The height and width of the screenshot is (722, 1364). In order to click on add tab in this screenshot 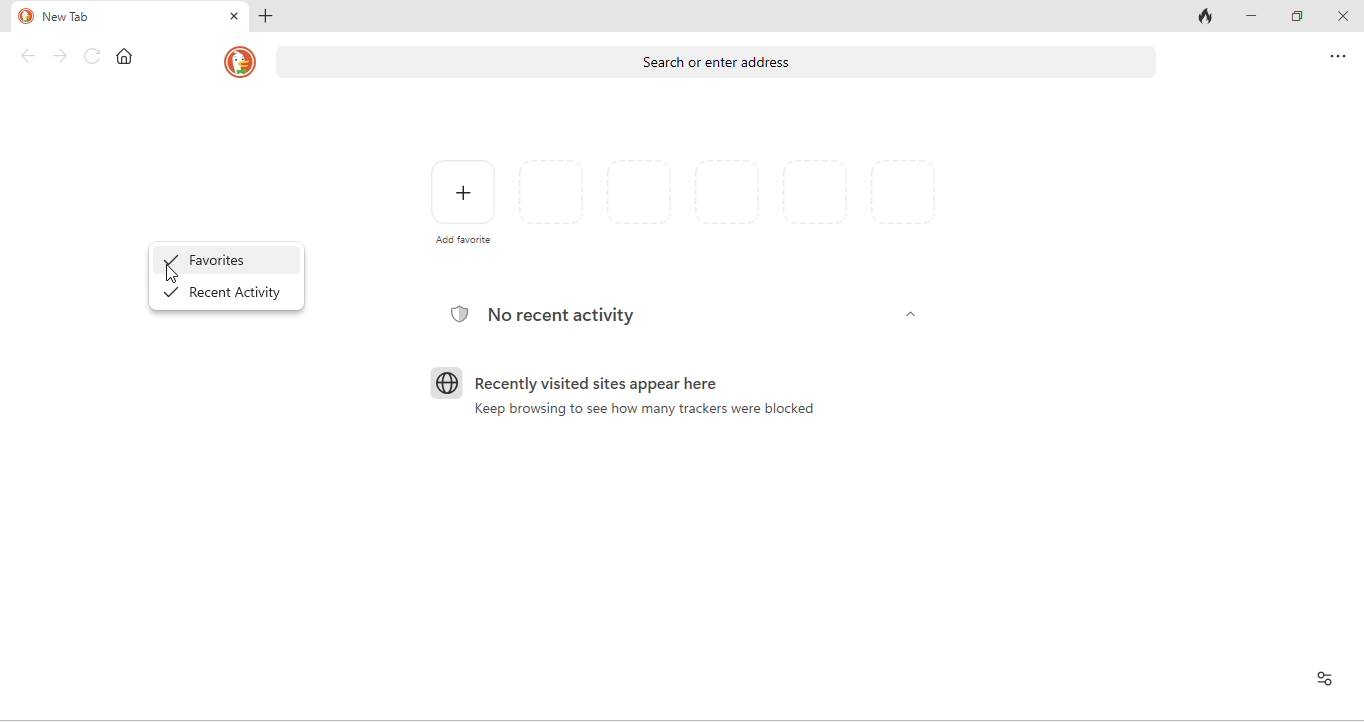, I will do `click(268, 15)`.